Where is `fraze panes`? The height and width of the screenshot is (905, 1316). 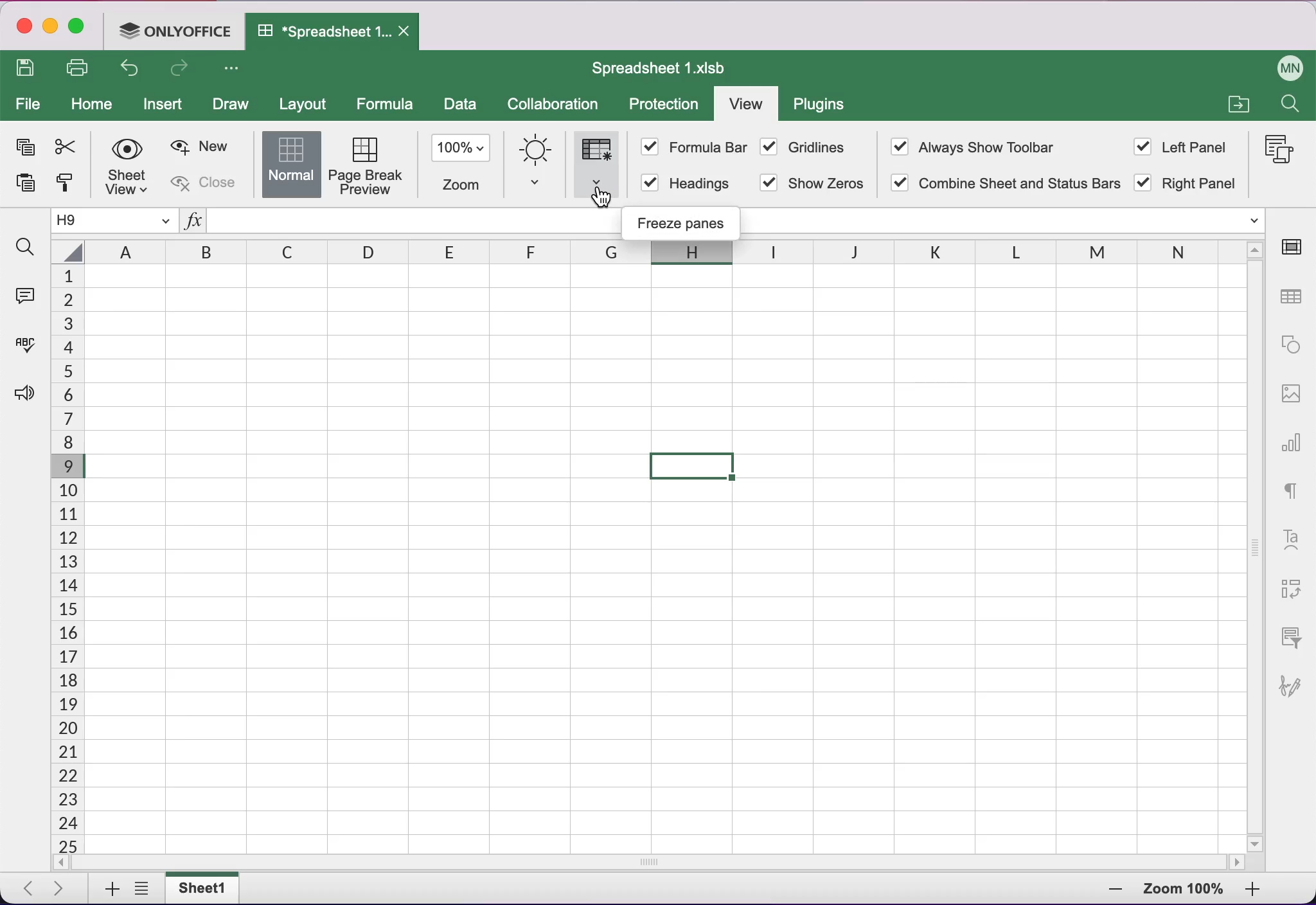 fraze panes is located at coordinates (598, 168).